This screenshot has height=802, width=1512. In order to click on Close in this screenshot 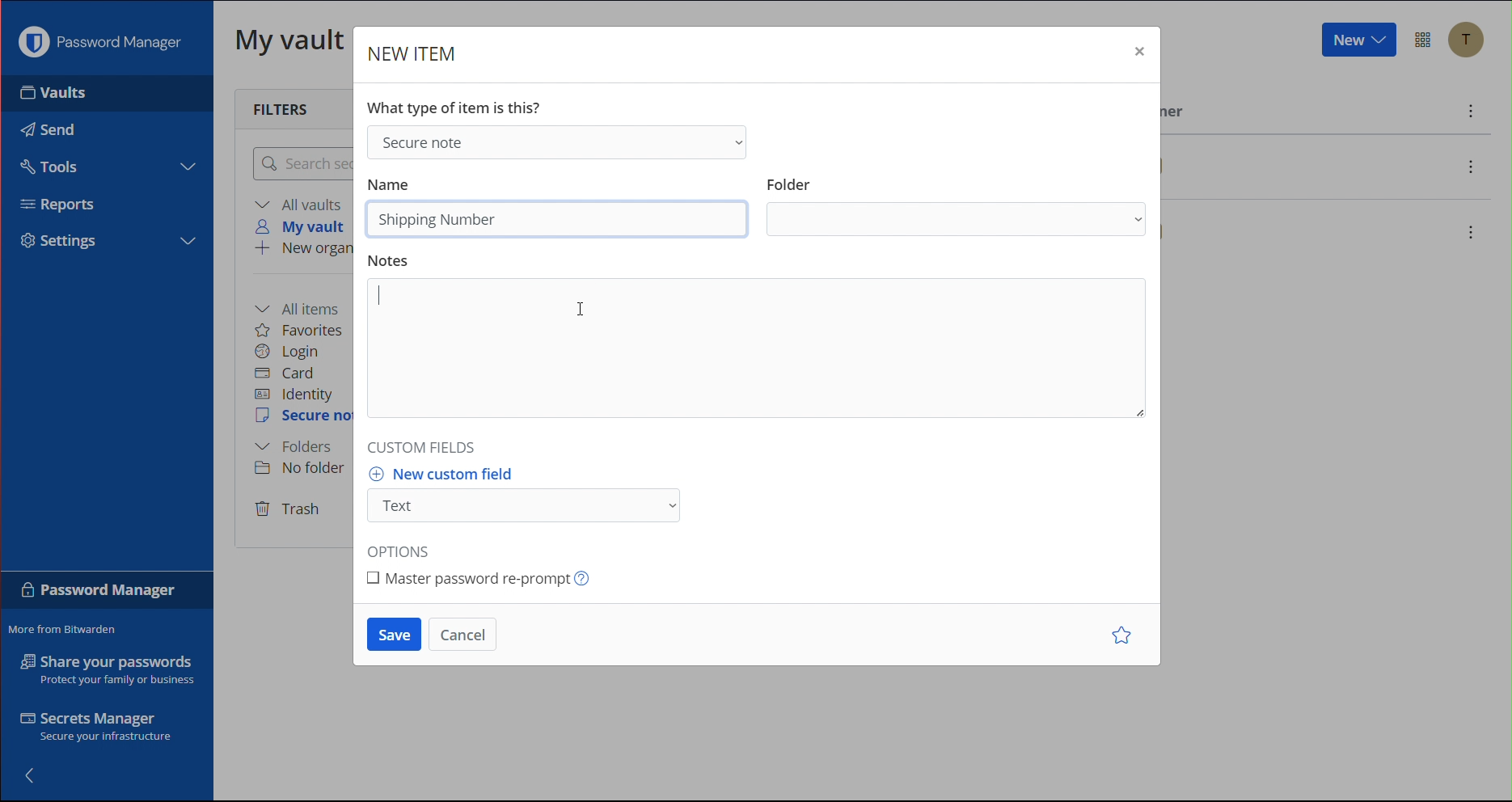, I will do `click(1138, 50)`.